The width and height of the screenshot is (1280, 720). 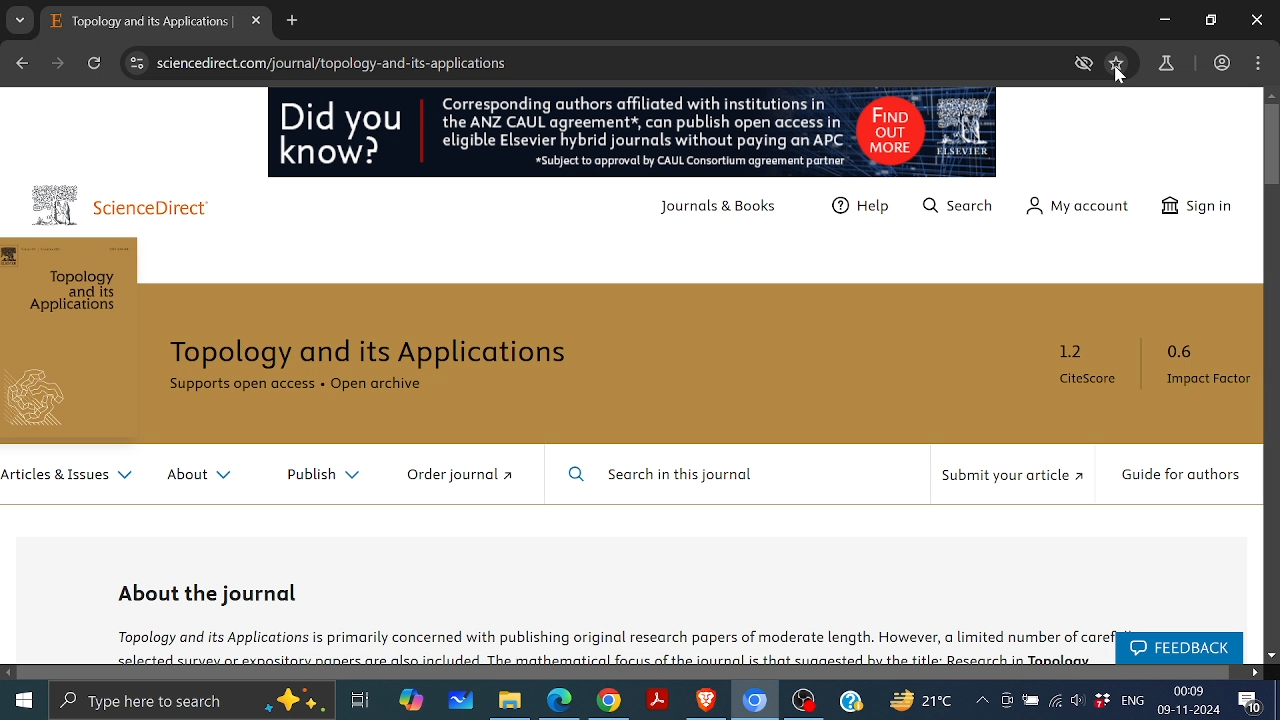 What do you see at coordinates (981, 700) in the screenshot?
I see `Show Hidden Icon` at bounding box center [981, 700].